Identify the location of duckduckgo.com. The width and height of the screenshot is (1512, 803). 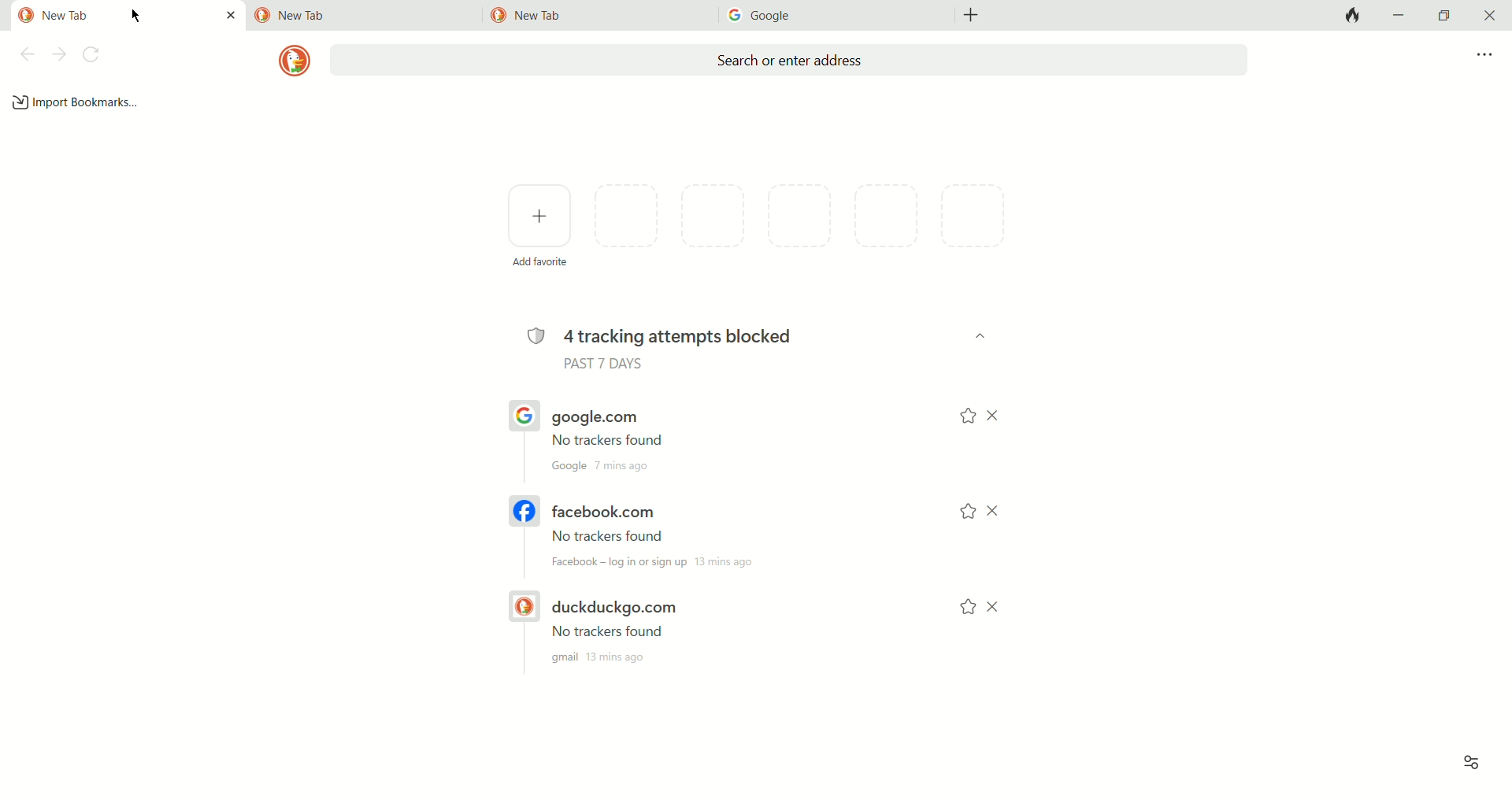
(636, 628).